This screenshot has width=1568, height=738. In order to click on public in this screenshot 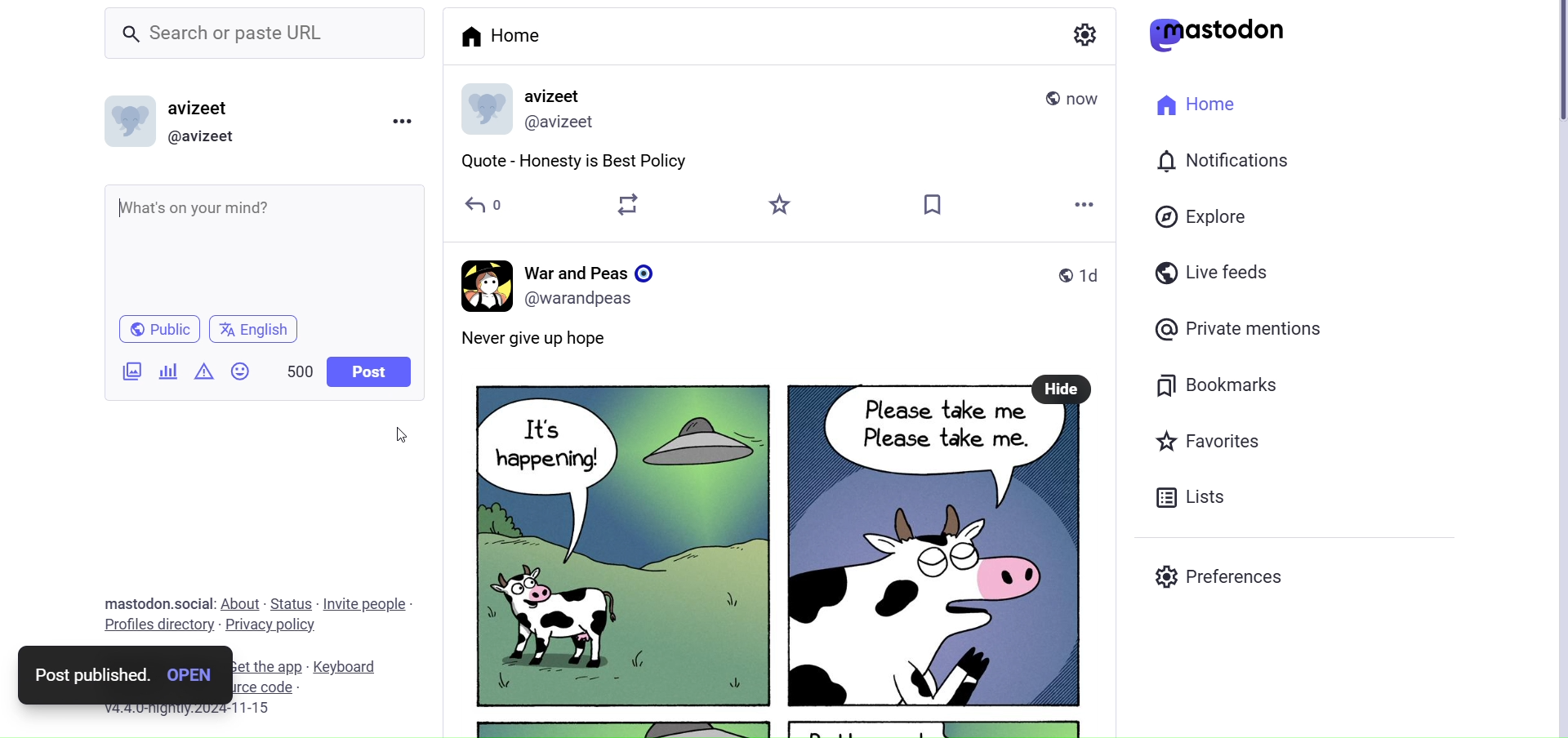, I will do `click(1045, 99)`.